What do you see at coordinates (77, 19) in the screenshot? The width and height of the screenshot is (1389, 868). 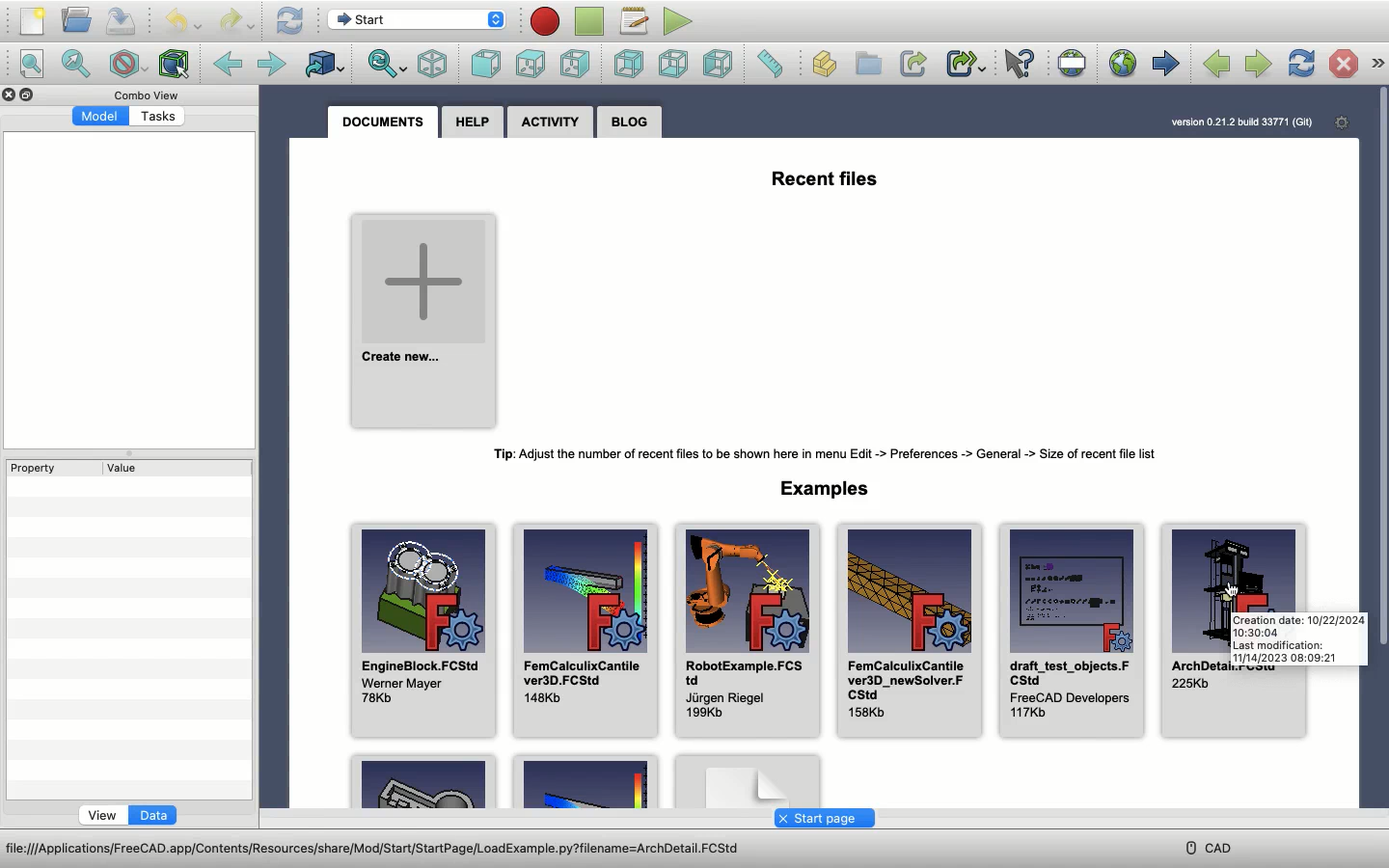 I see `Open` at bounding box center [77, 19].